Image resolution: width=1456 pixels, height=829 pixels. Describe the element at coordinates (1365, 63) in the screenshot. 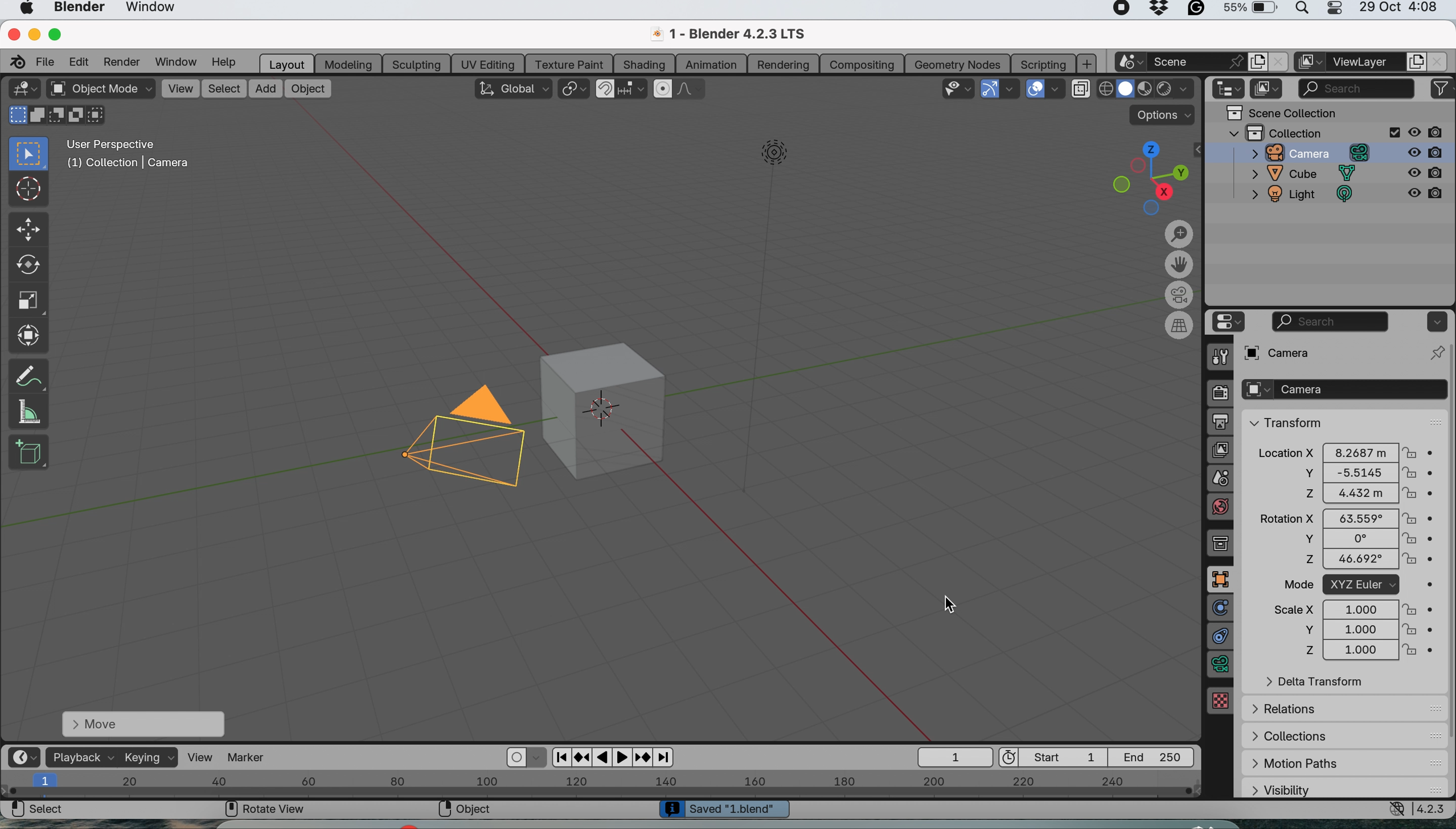

I see `view layer` at that location.